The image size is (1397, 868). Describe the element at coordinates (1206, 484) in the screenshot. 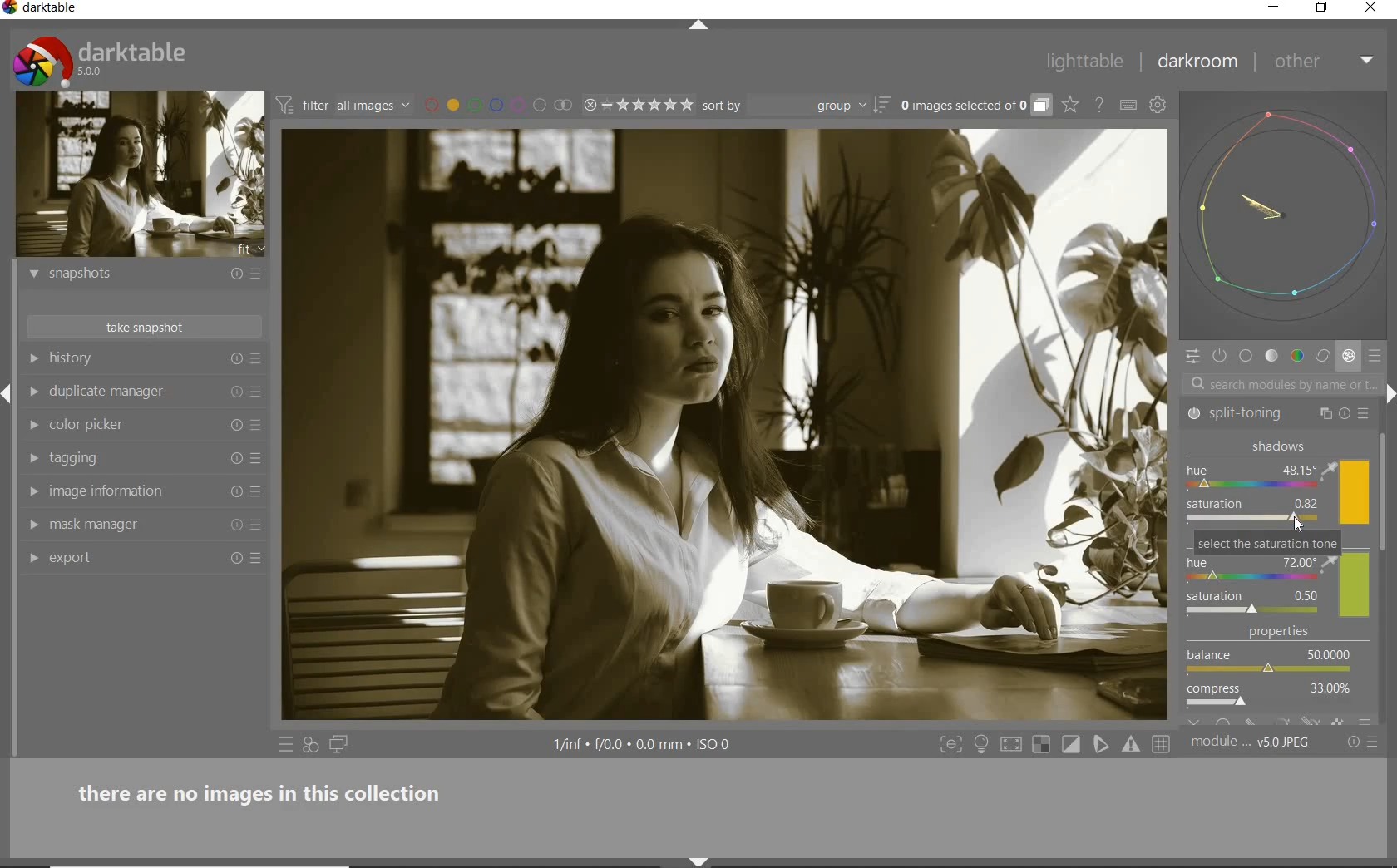

I see `hue slider moved towards the orange-brown area` at that location.